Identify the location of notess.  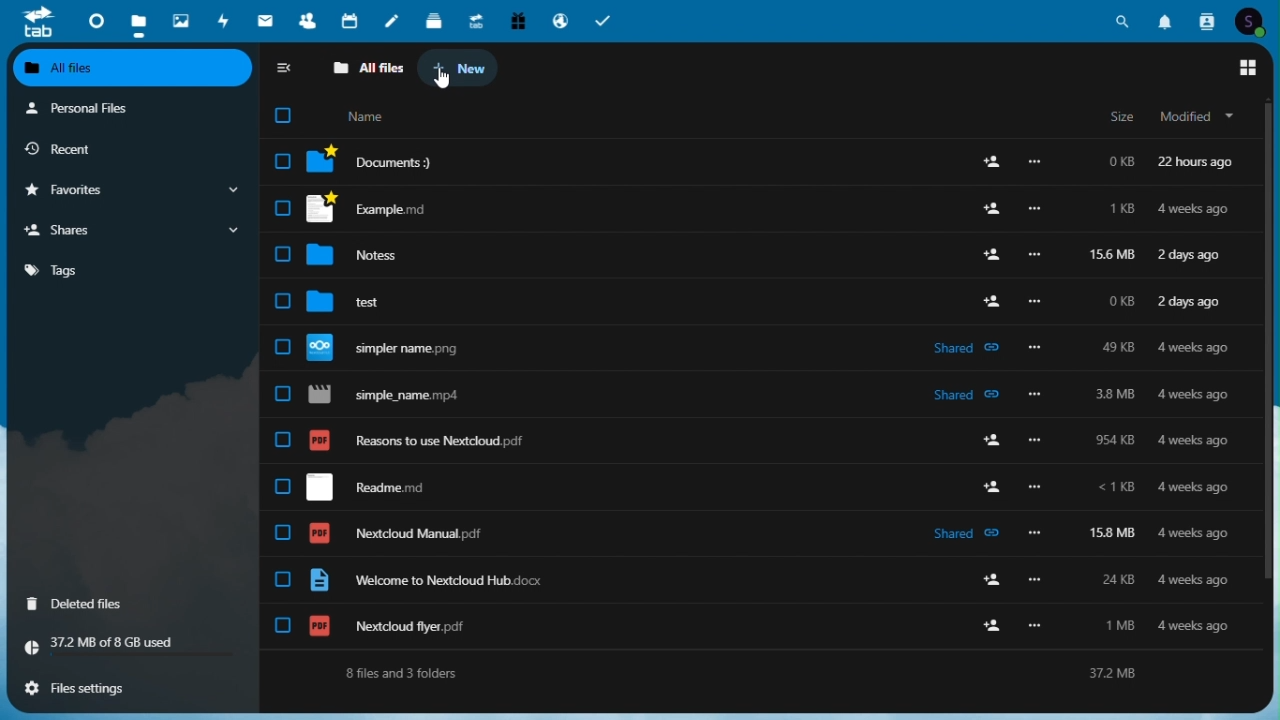
(365, 256).